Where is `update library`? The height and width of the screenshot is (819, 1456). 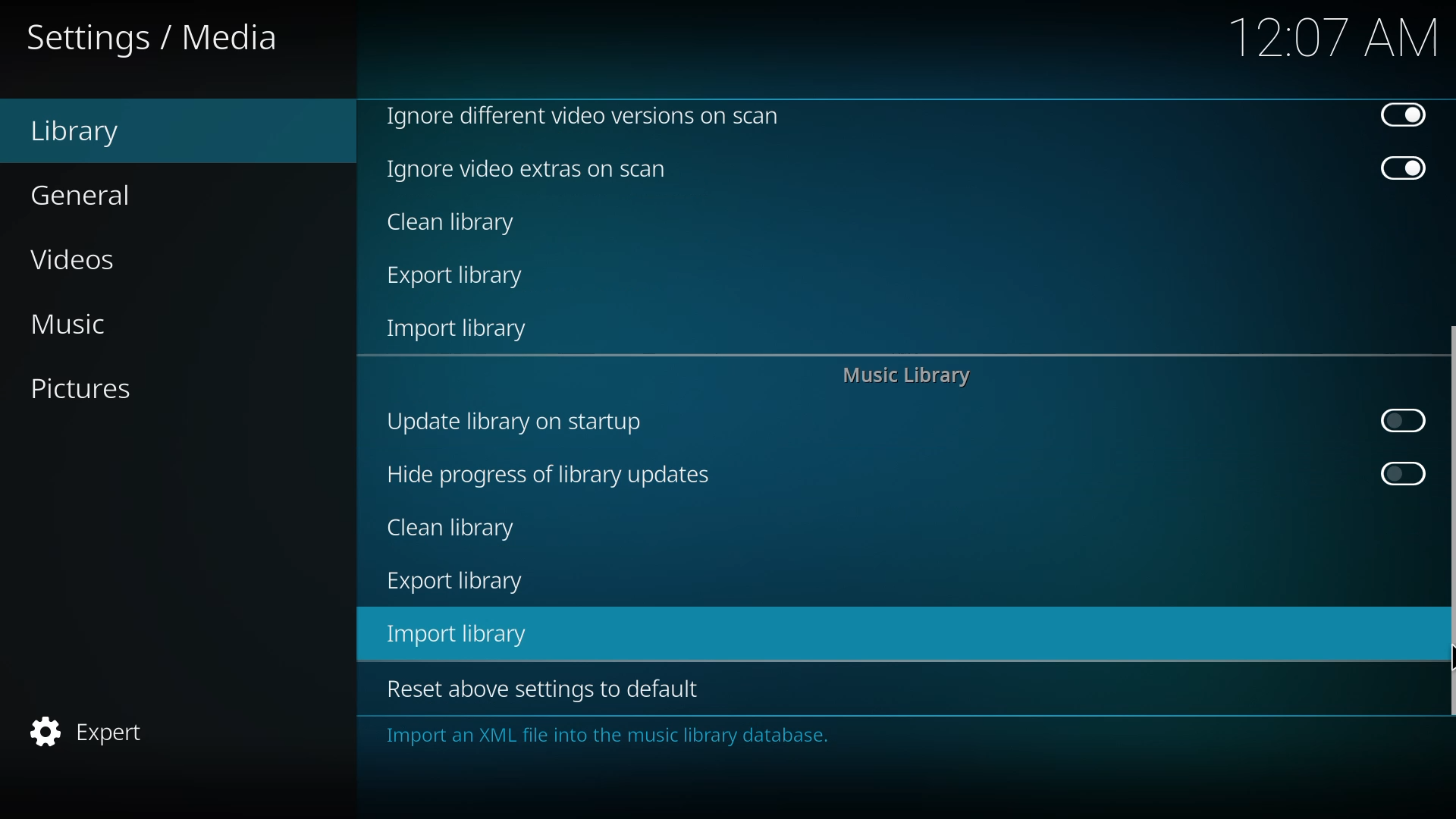
update library is located at coordinates (511, 420).